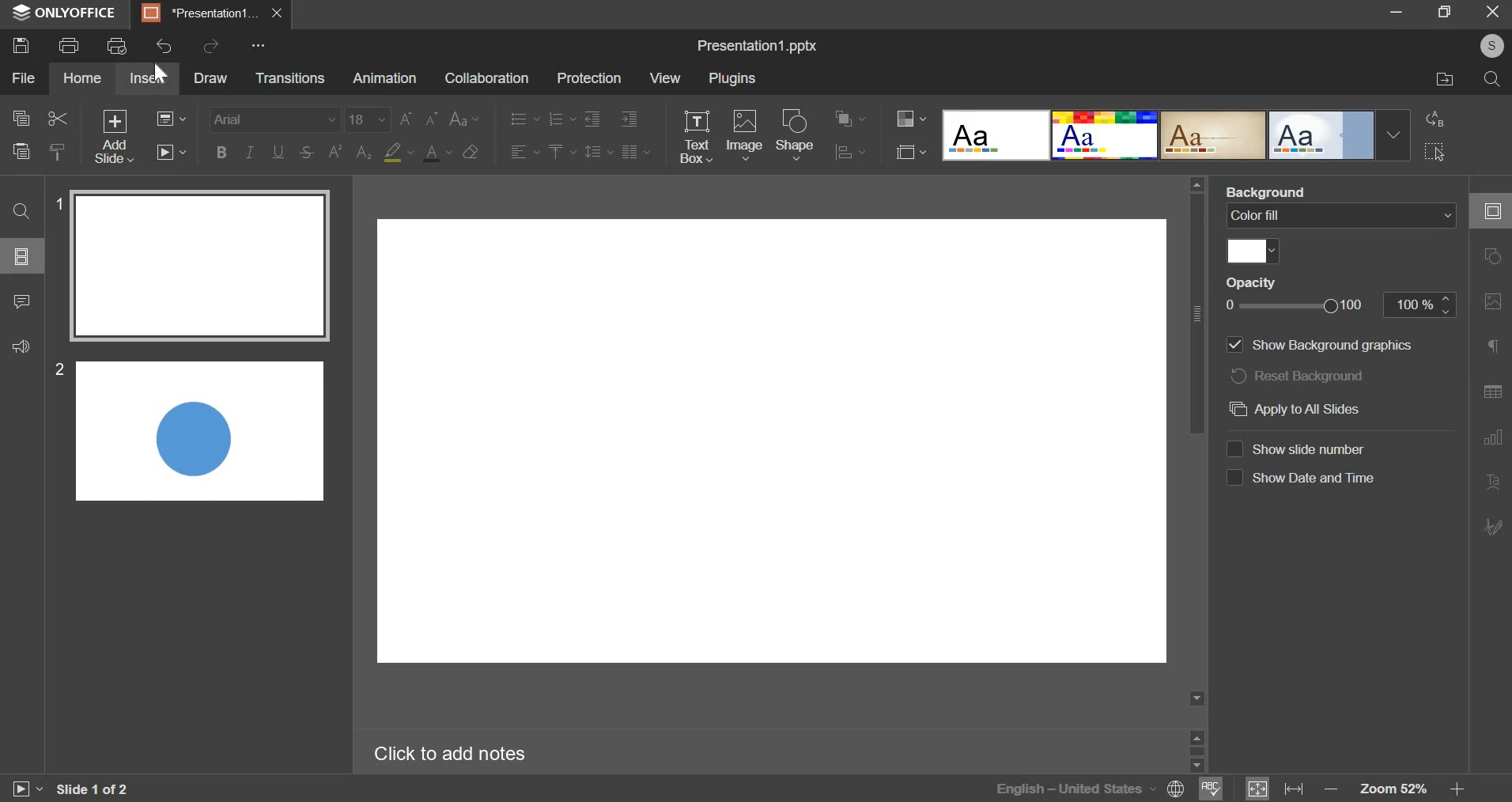 This screenshot has height=802, width=1512. What do you see at coordinates (418, 117) in the screenshot?
I see `font size change` at bounding box center [418, 117].